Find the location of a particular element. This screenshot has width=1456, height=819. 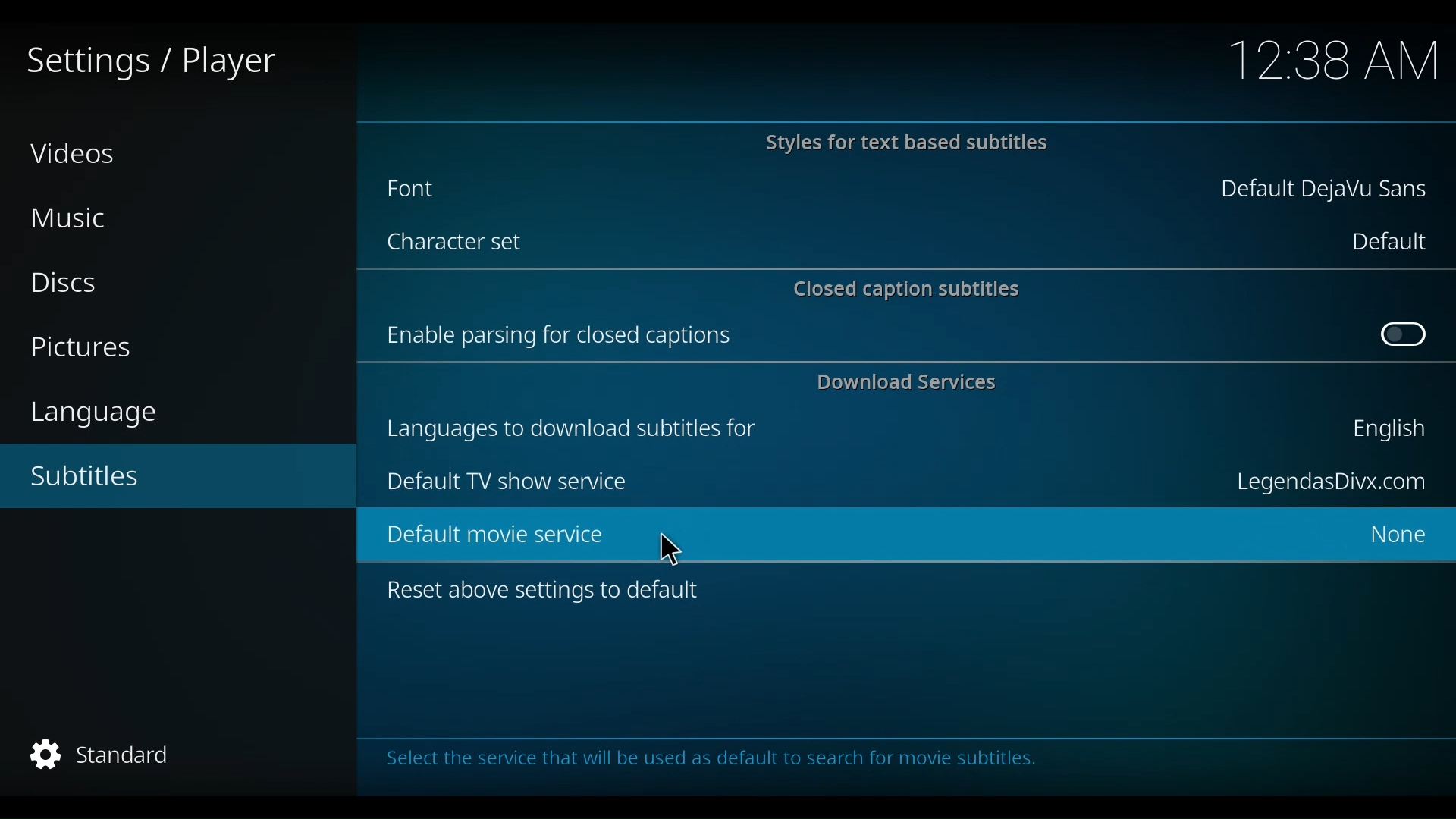

languages to download subtitles for is located at coordinates (579, 425).